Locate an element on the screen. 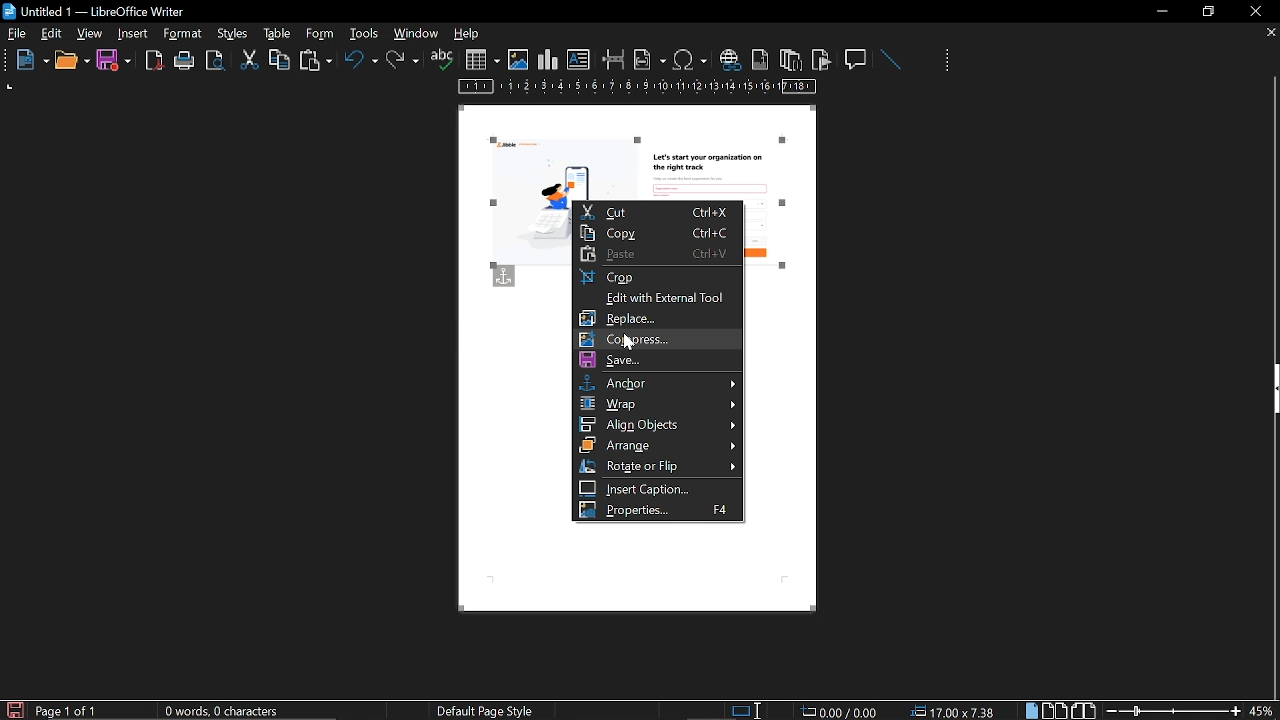  file is located at coordinates (17, 35).